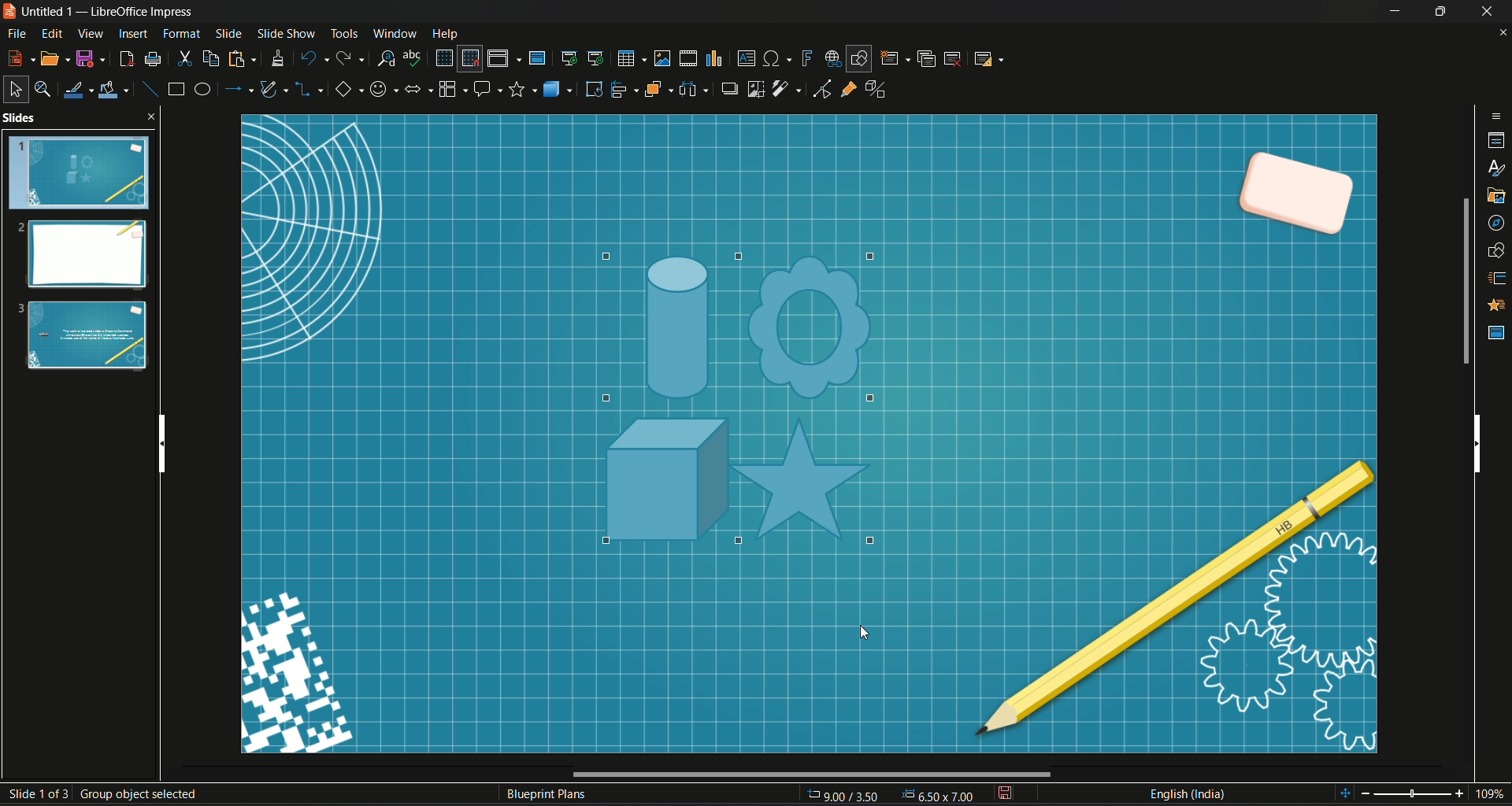 This screenshot has height=806, width=1512. What do you see at coordinates (239, 59) in the screenshot?
I see `paste` at bounding box center [239, 59].